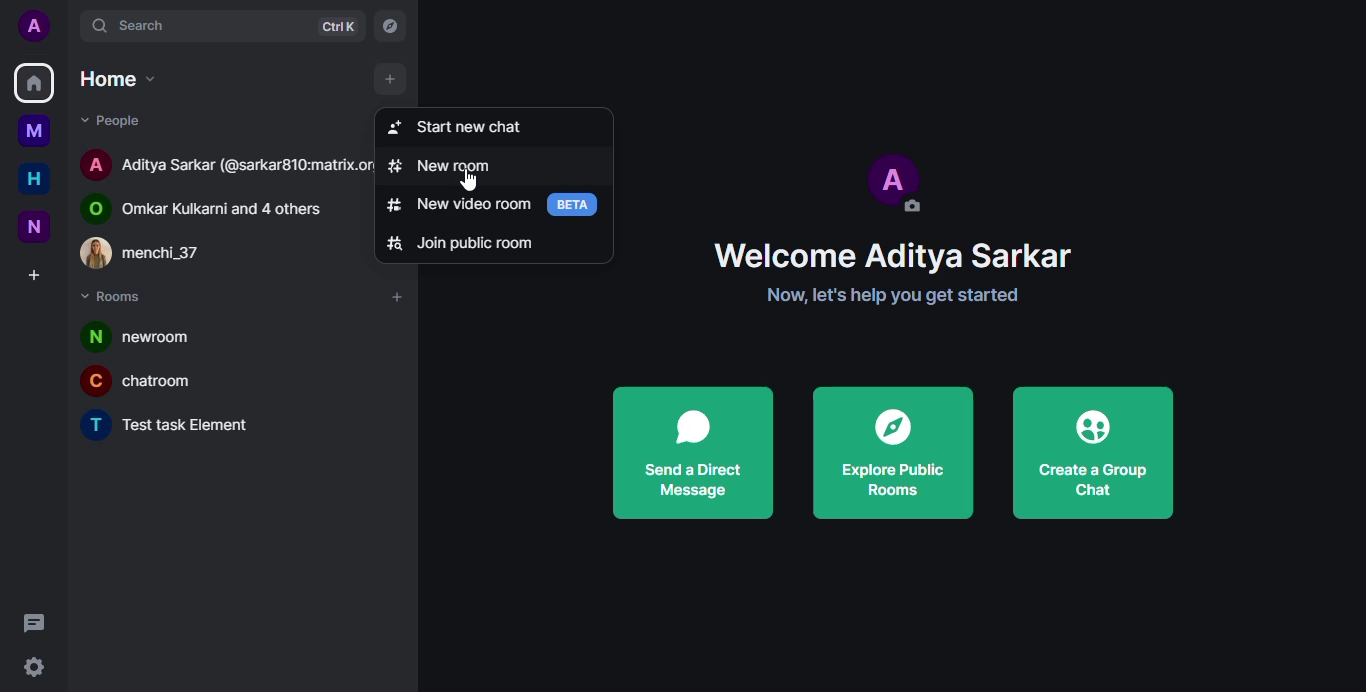  Describe the element at coordinates (471, 181) in the screenshot. I see `Cursor` at that location.